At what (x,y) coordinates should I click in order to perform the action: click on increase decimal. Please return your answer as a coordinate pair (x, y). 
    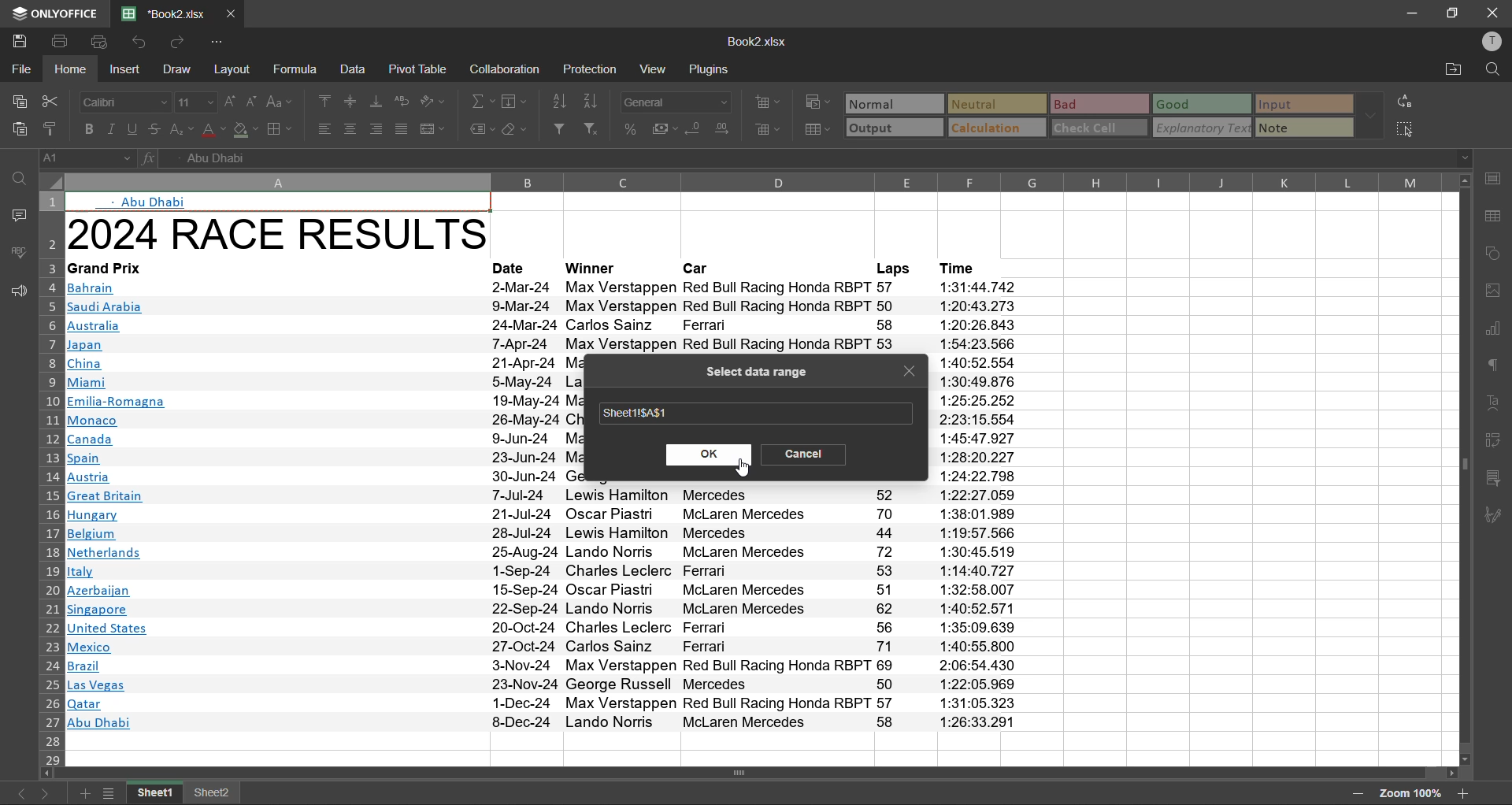
    Looking at the image, I should click on (728, 128).